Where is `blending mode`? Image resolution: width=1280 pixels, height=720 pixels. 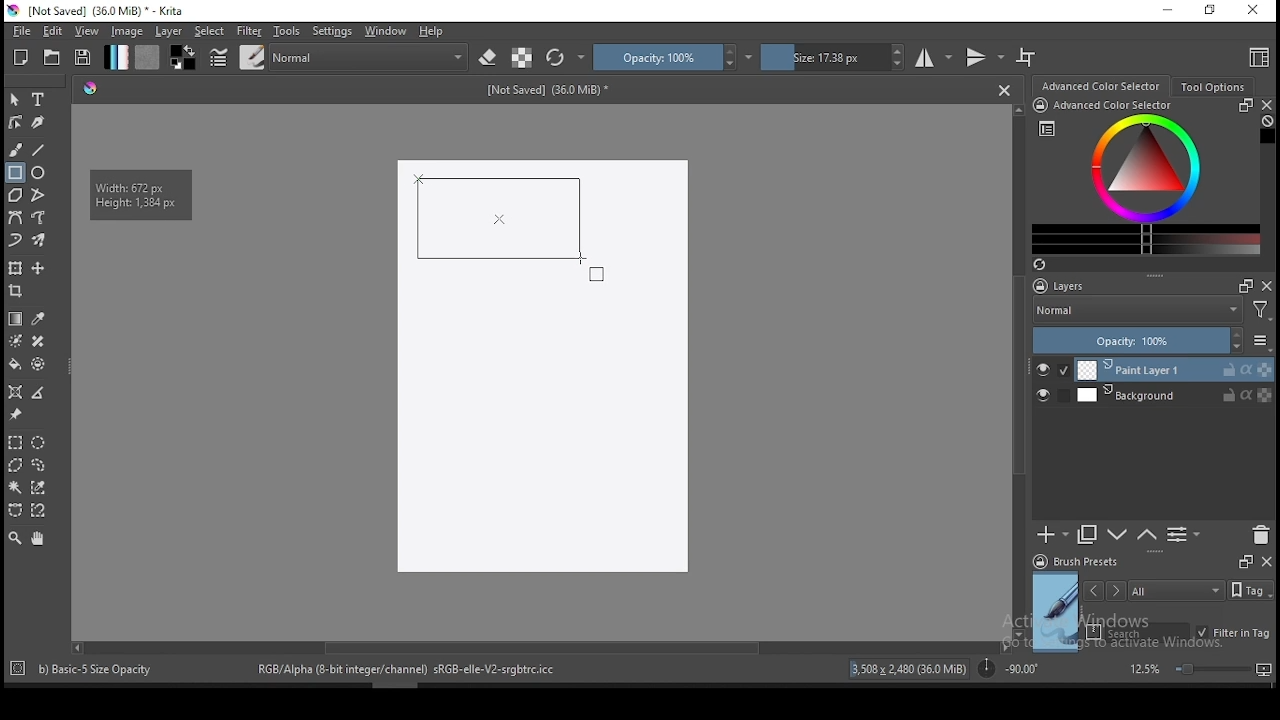
blending mode is located at coordinates (1136, 312).